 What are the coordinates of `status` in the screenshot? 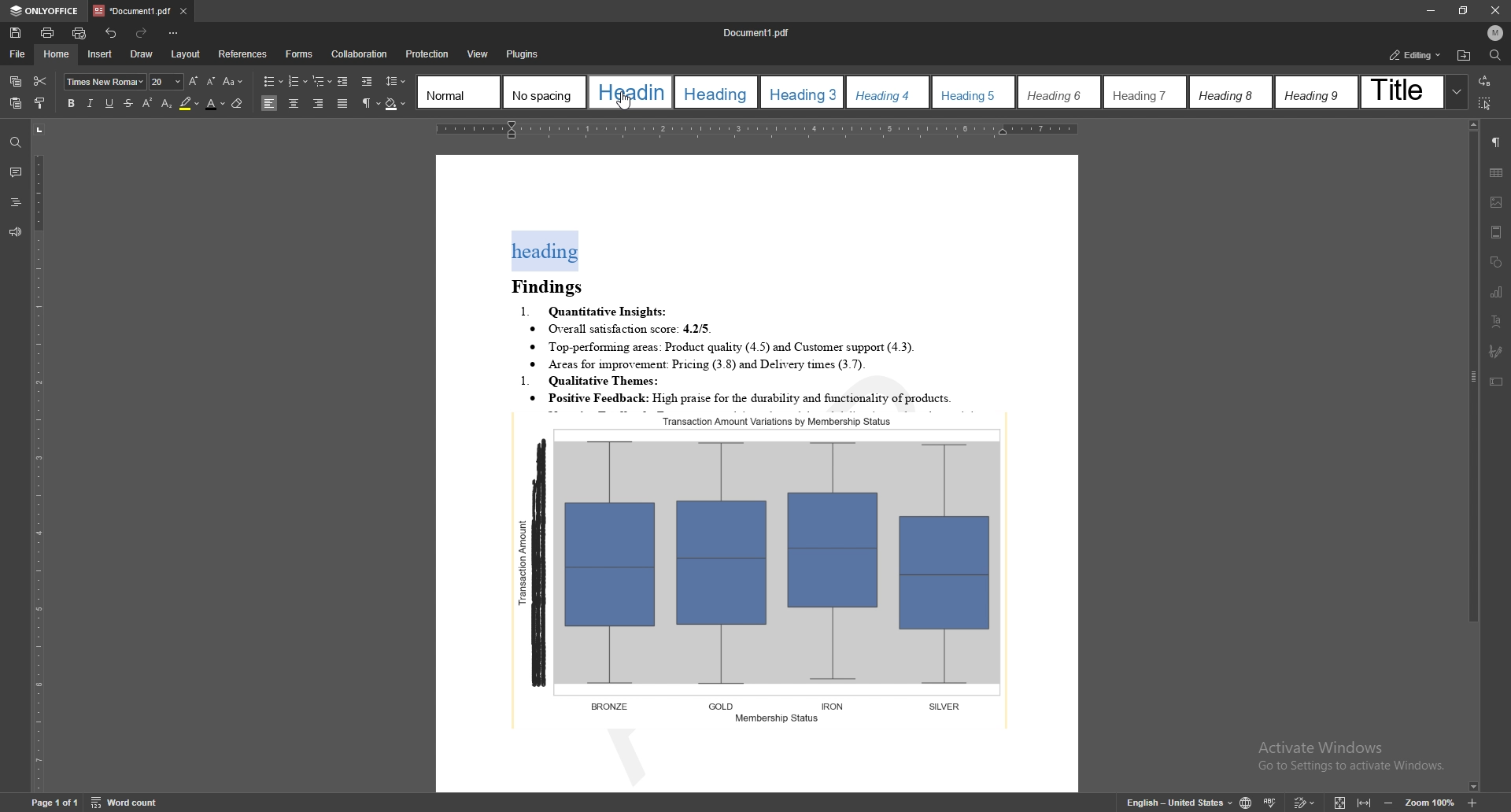 It's located at (1416, 55).